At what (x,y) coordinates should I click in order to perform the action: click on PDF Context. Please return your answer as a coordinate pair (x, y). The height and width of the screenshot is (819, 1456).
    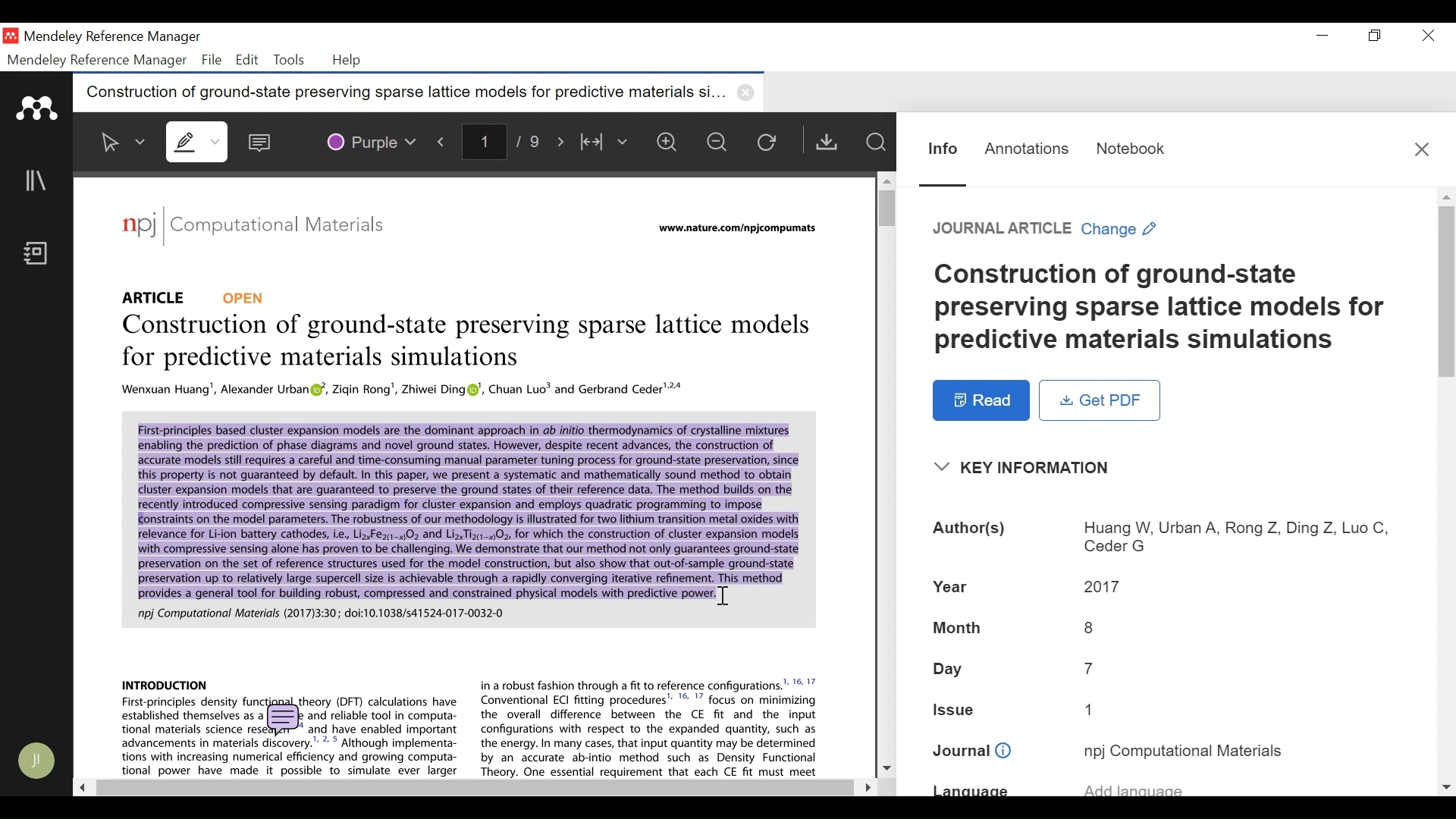
    Looking at the image, I should click on (651, 726).